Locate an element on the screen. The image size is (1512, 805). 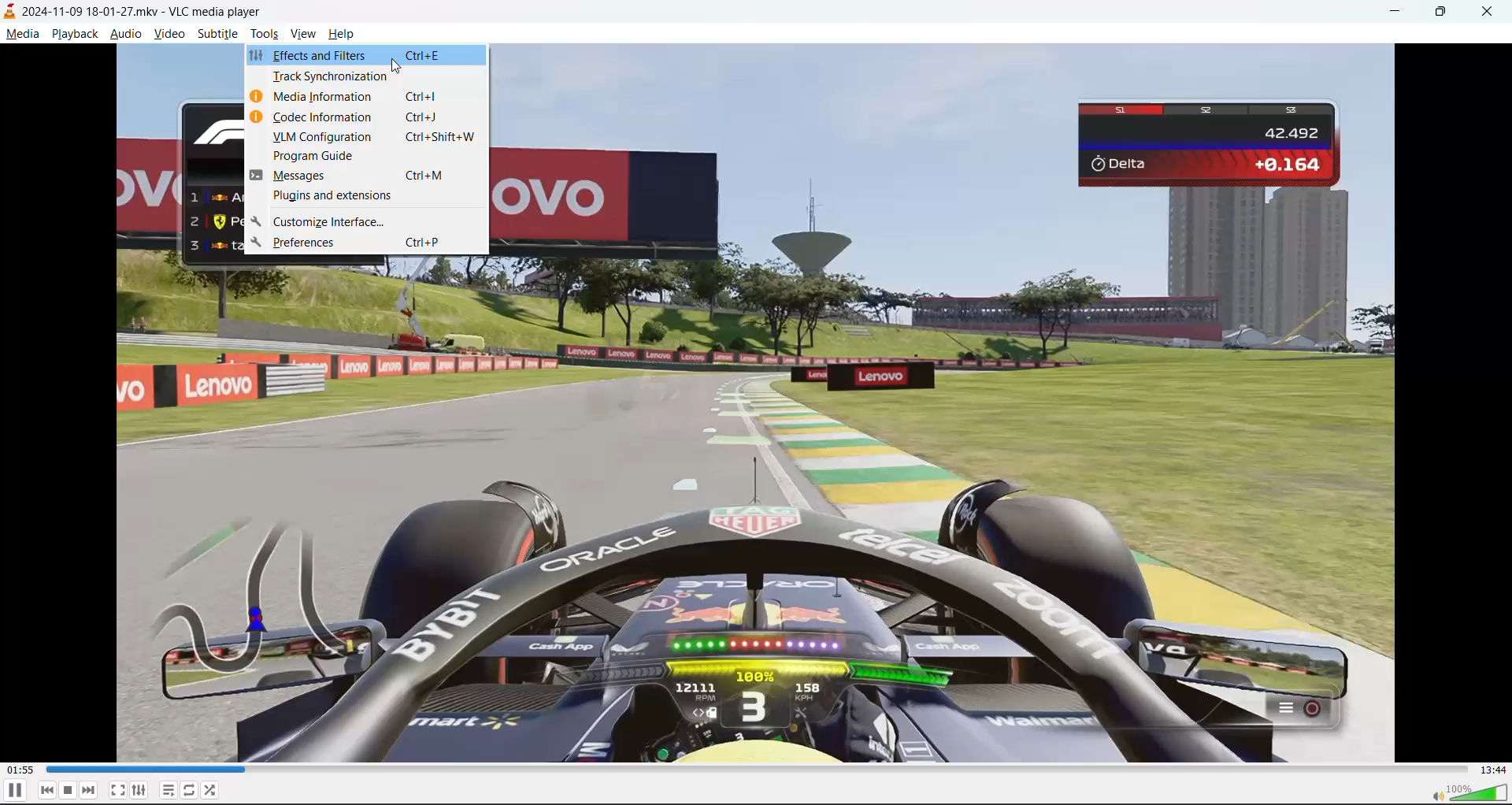
preferences is located at coordinates (365, 243).